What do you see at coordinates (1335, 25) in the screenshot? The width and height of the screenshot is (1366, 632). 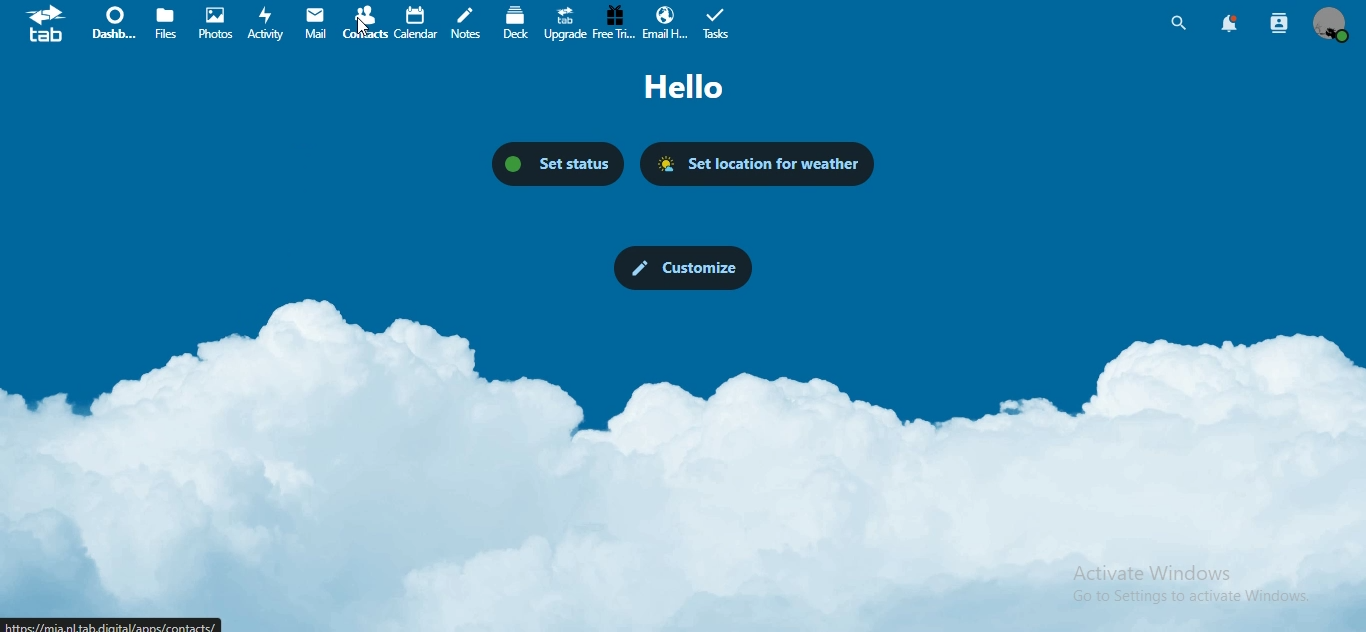 I see `view profile` at bounding box center [1335, 25].